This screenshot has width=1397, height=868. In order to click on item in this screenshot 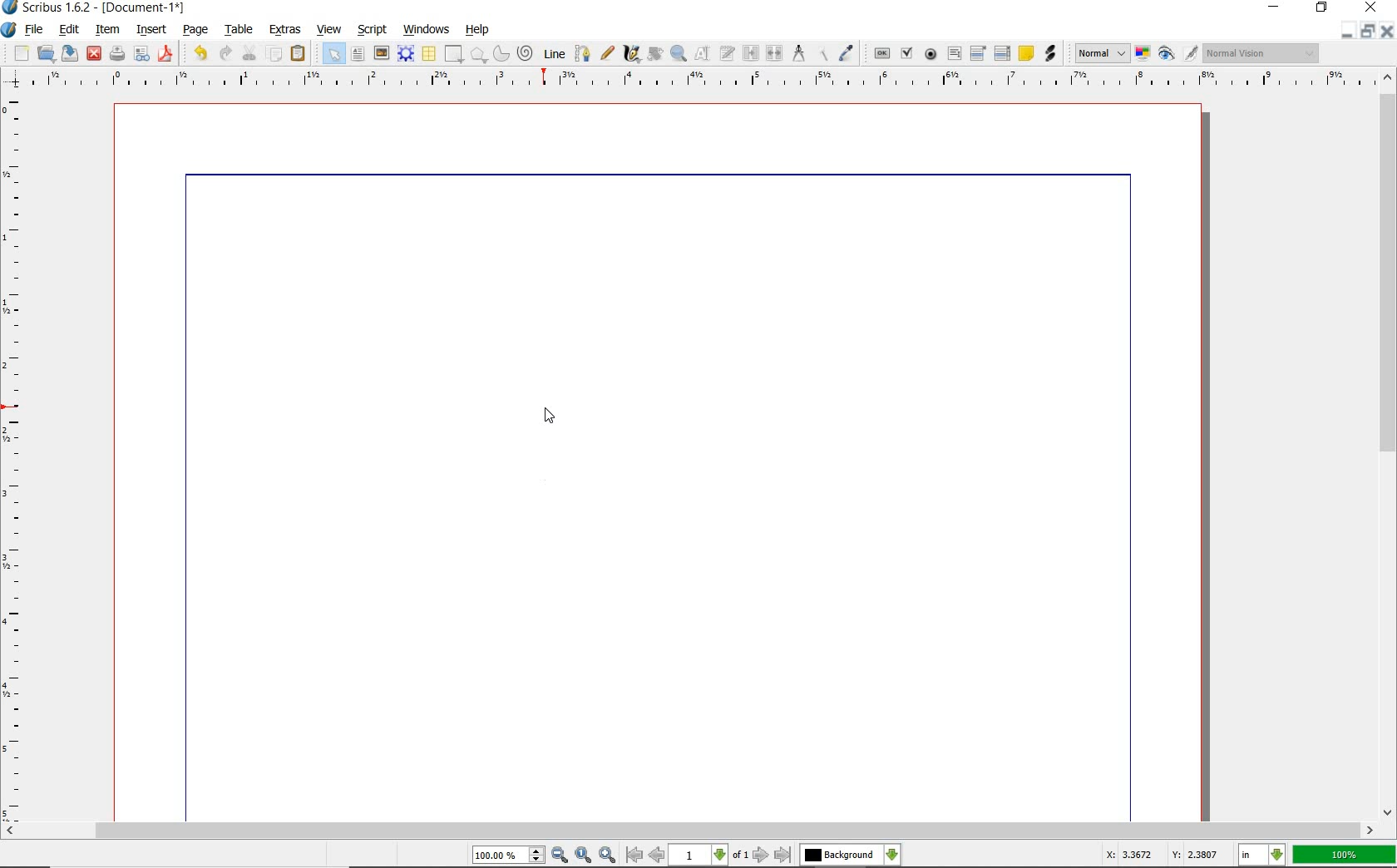, I will do `click(107, 30)`.